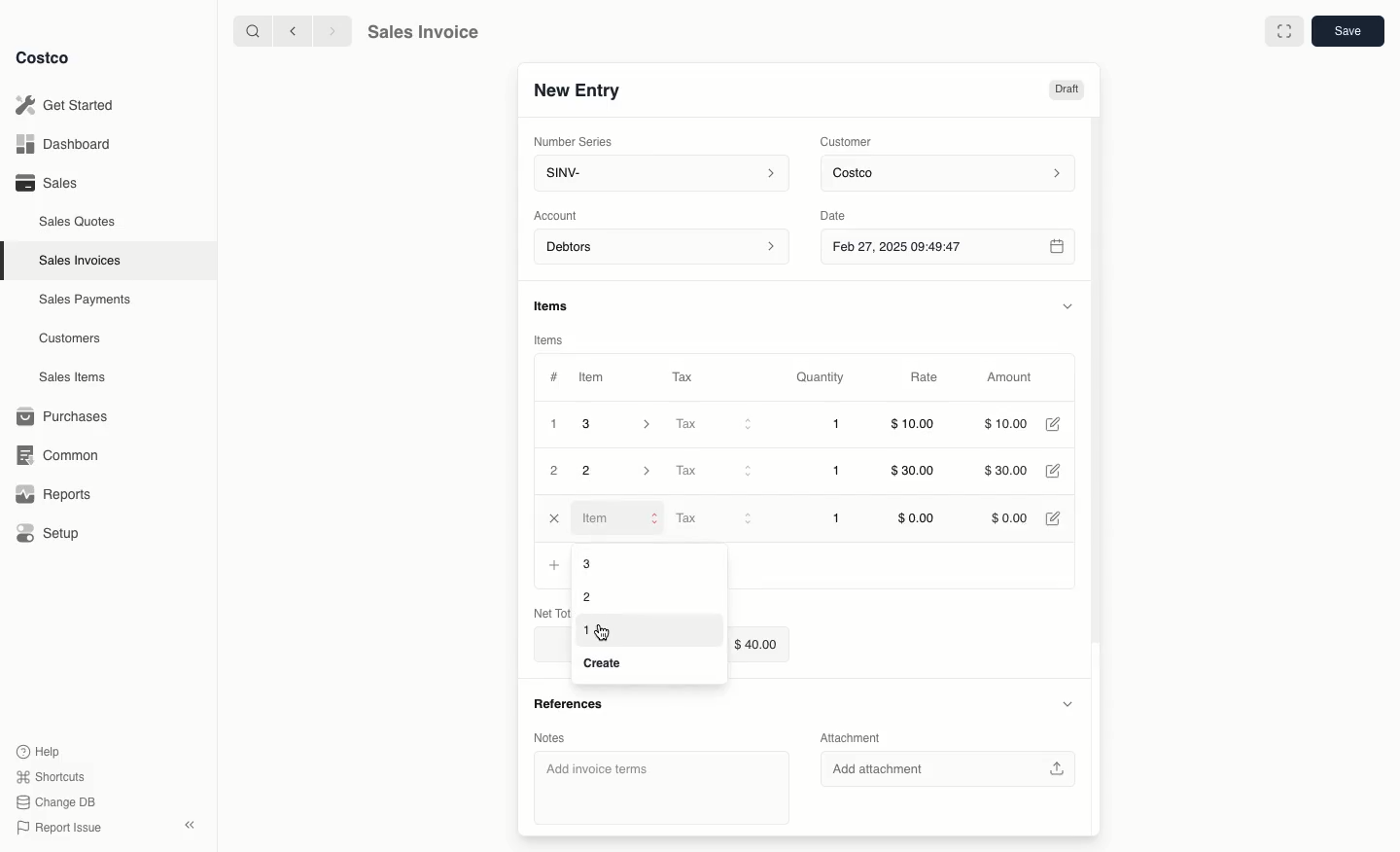  What do you see at coordinates (1347, 32) in the screenshot?
I see `Save` at bounding box center [1347, 32].